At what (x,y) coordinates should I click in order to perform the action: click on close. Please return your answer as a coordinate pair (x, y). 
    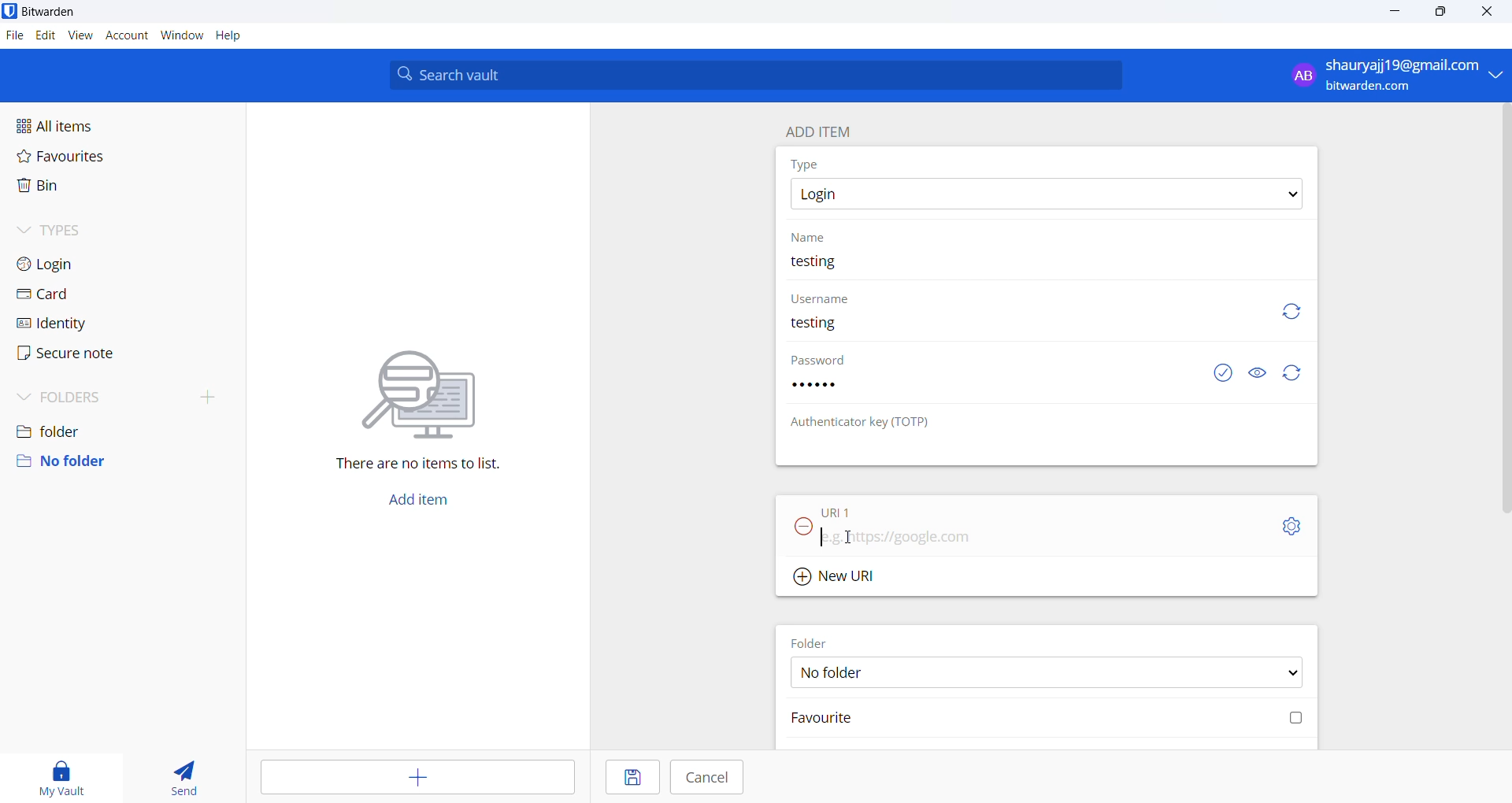
    Looking at the image, I should click on (1484, 11).